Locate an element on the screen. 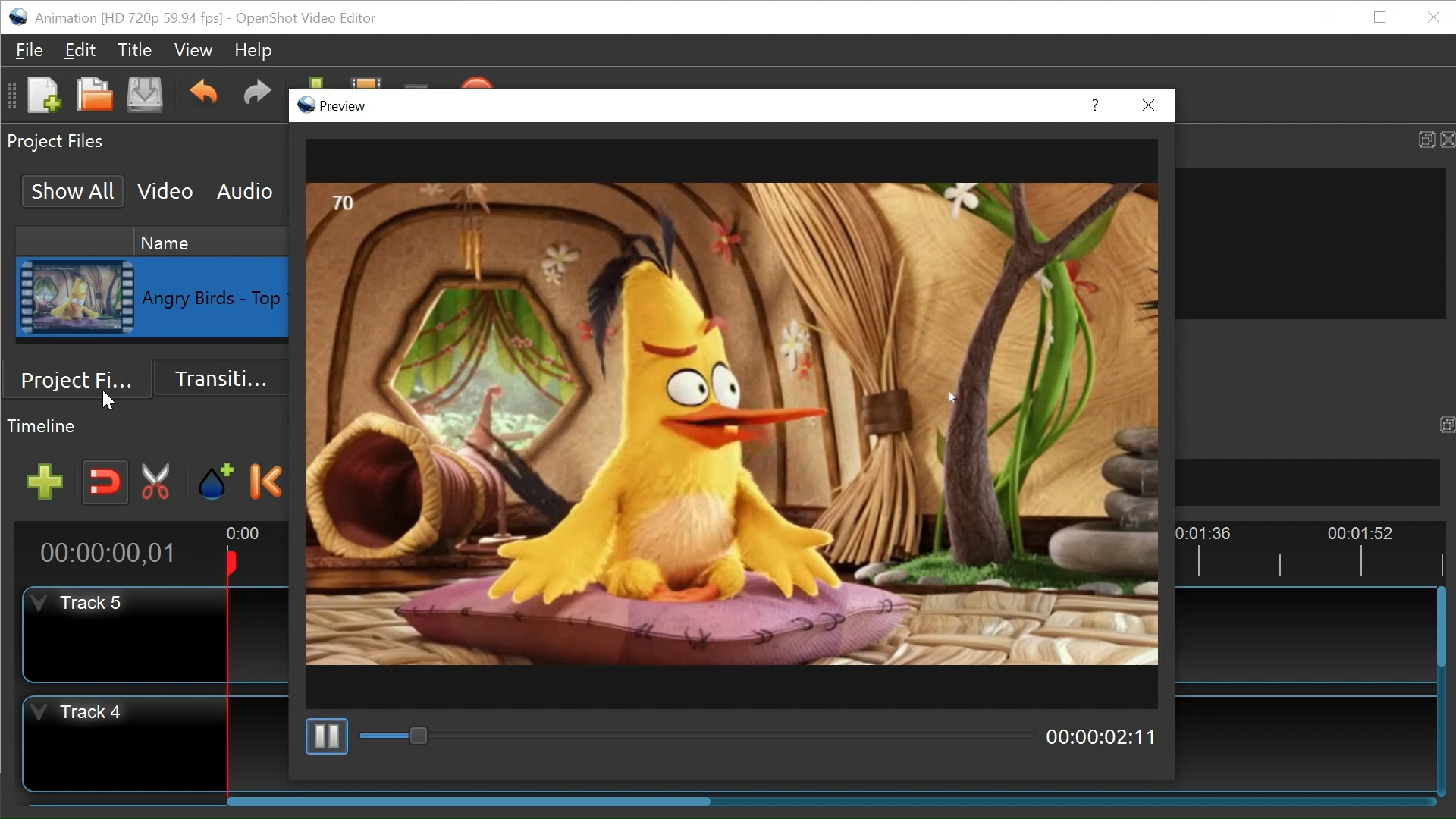  Snap is located at coordinates (105, 483).